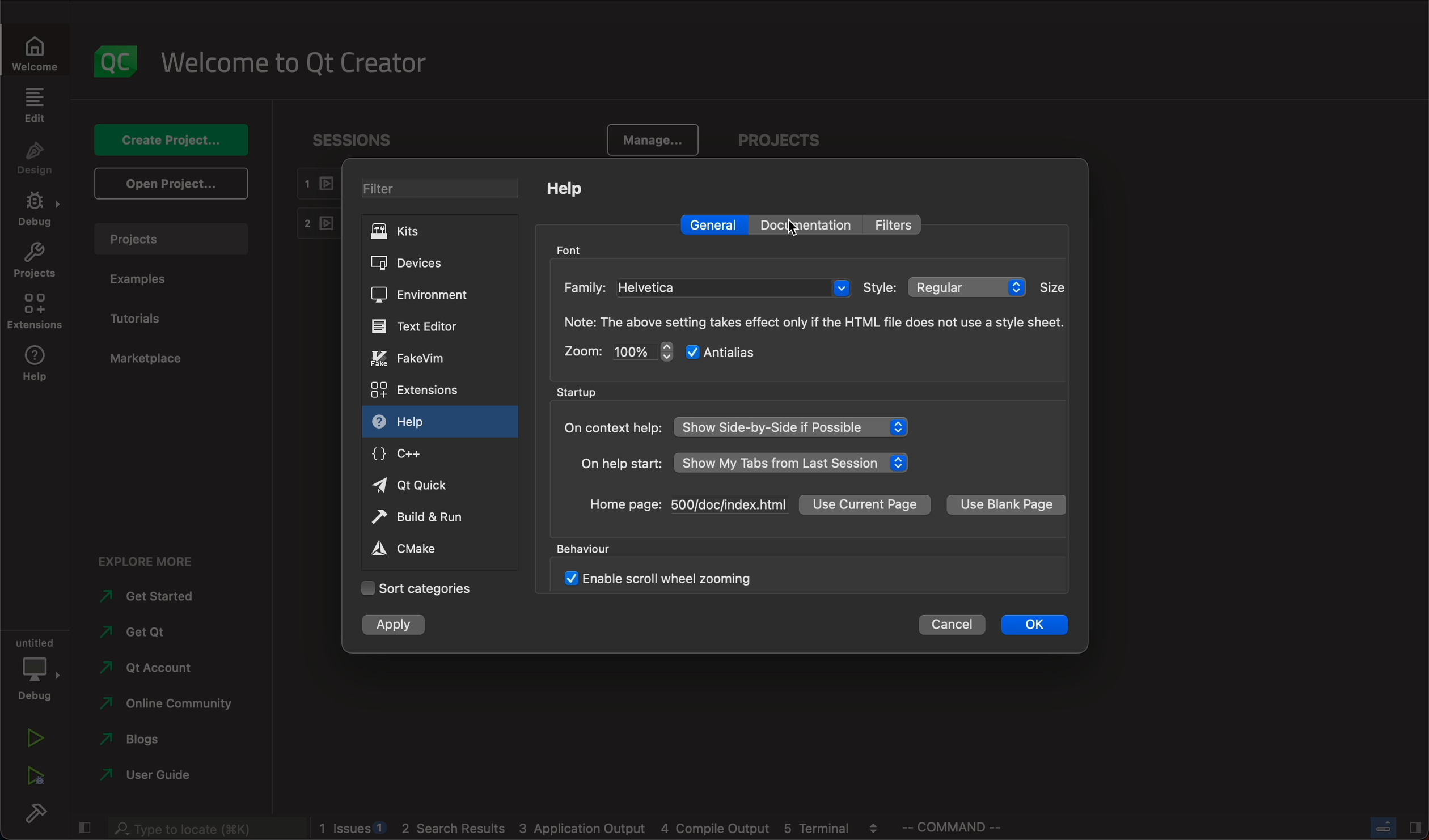 This screenshot has width=1429, height=840. What do you see at coordinates (599, 830) in the screenshot?
I see `blogs` at bounding box center [599, 830].